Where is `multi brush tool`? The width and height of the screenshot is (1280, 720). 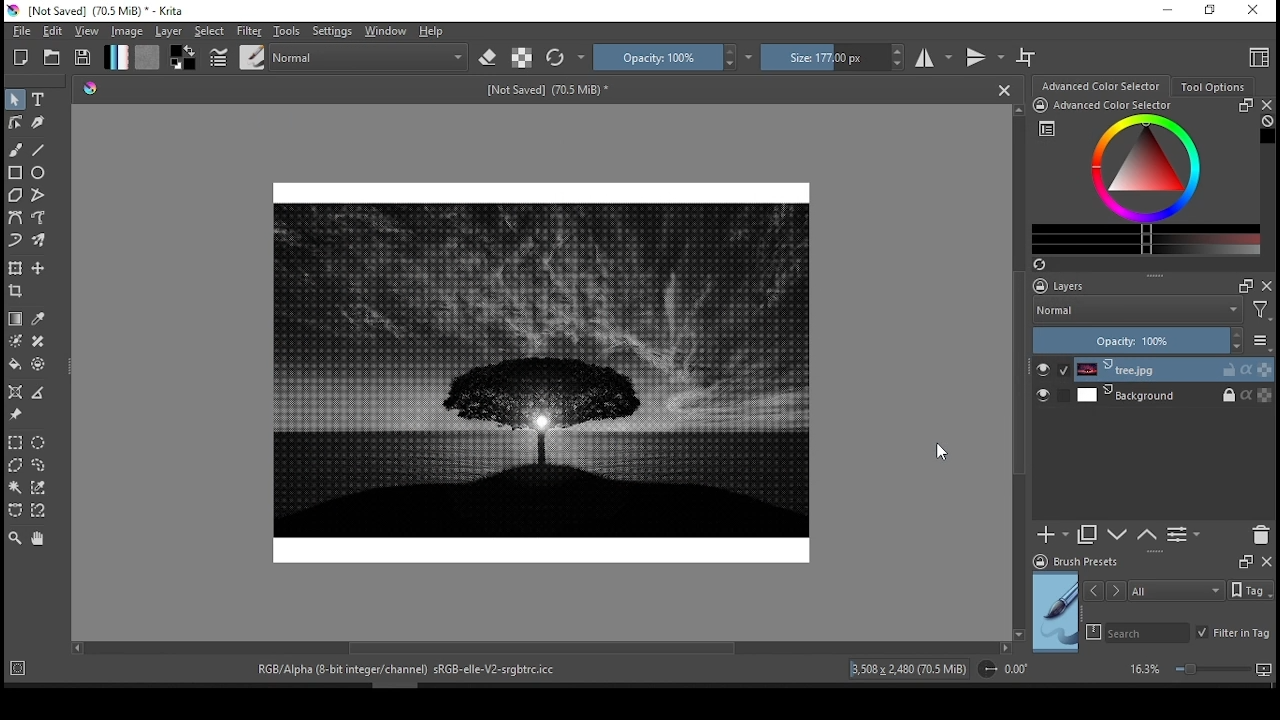 multi brush tool is located at coordinates (40, 240).